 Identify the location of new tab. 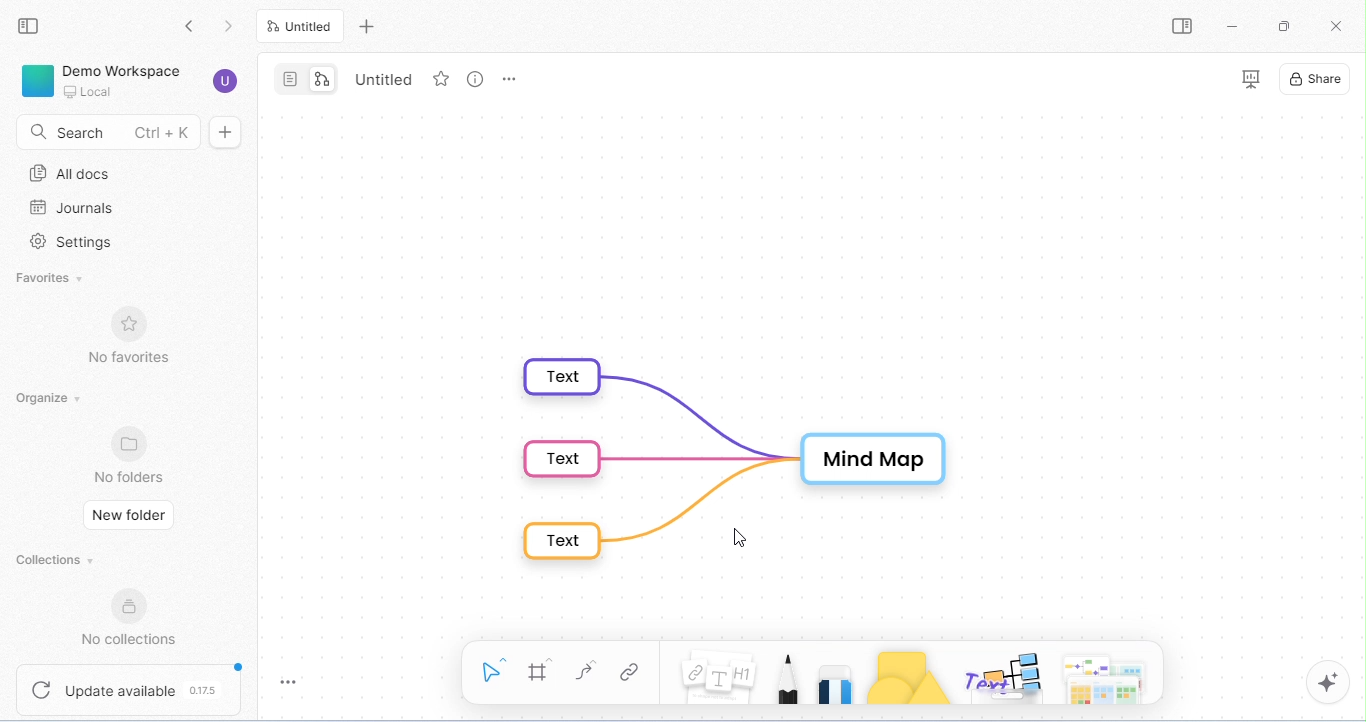
(364, 27).